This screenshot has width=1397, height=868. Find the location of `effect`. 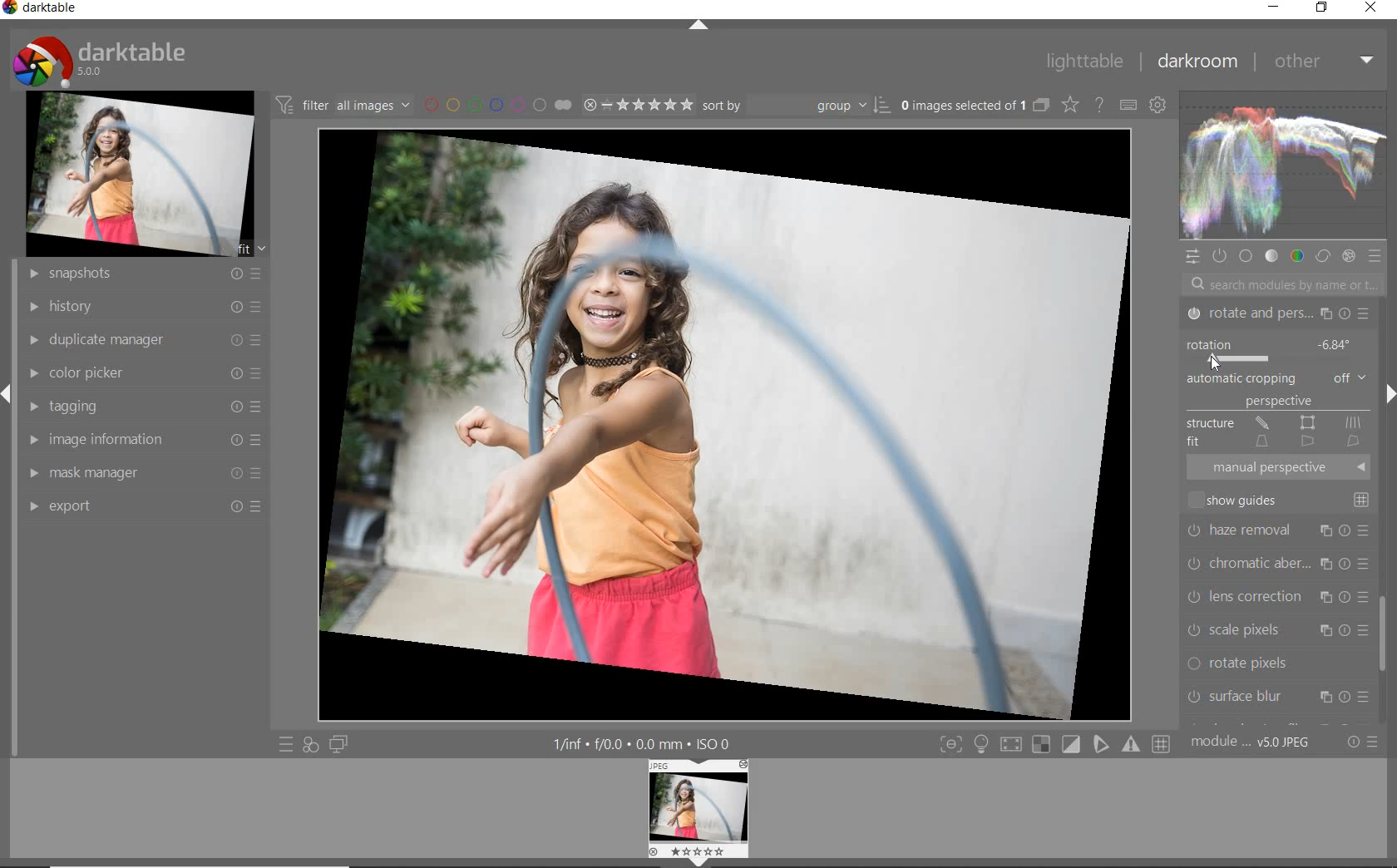

effect is located at coordinates (1350, 258).